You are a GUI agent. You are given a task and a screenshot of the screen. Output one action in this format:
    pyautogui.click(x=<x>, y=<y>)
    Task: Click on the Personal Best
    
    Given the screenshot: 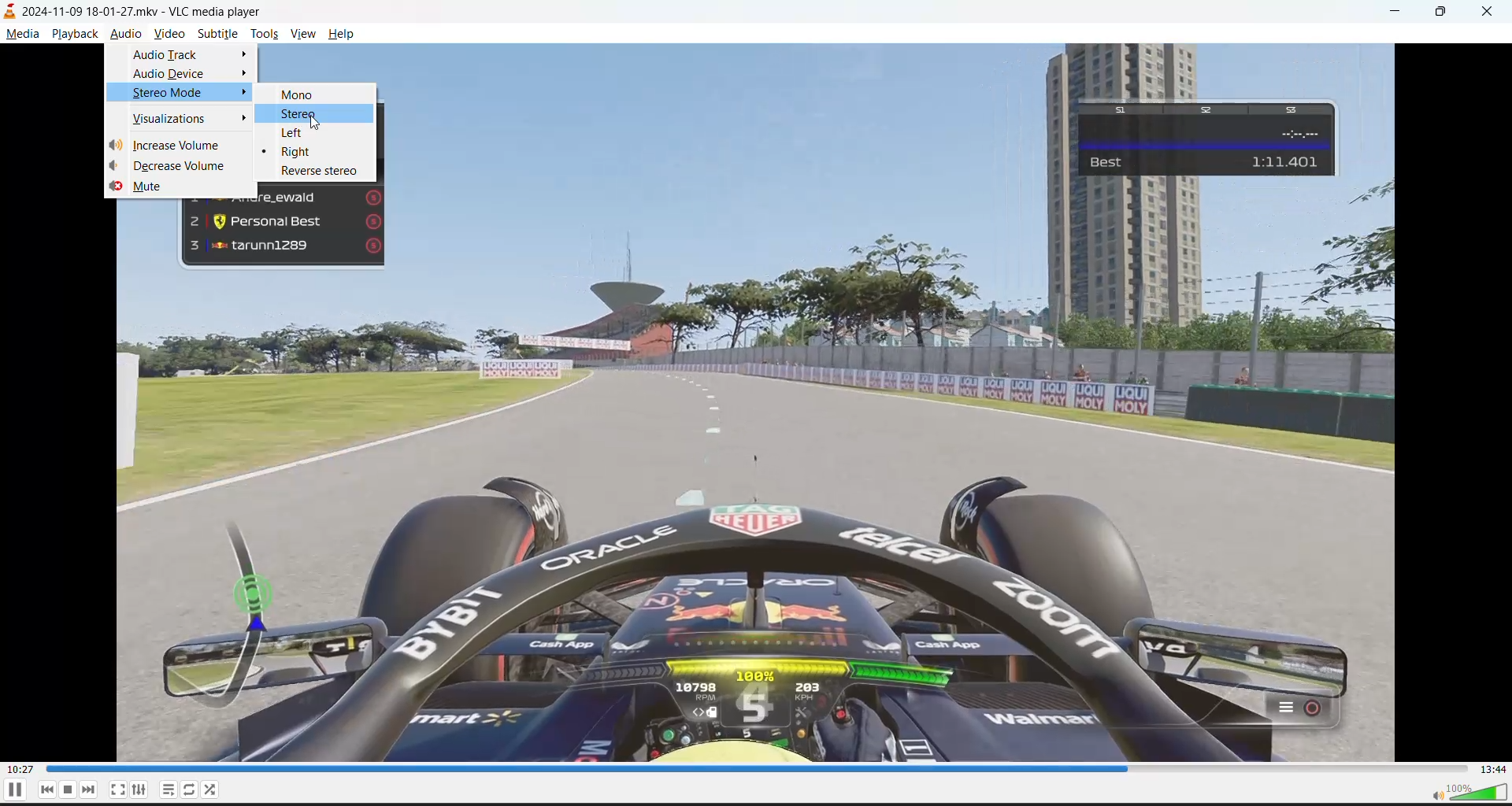 What is the action you would take?
    pyautogui.click(x=282, y=220)
    